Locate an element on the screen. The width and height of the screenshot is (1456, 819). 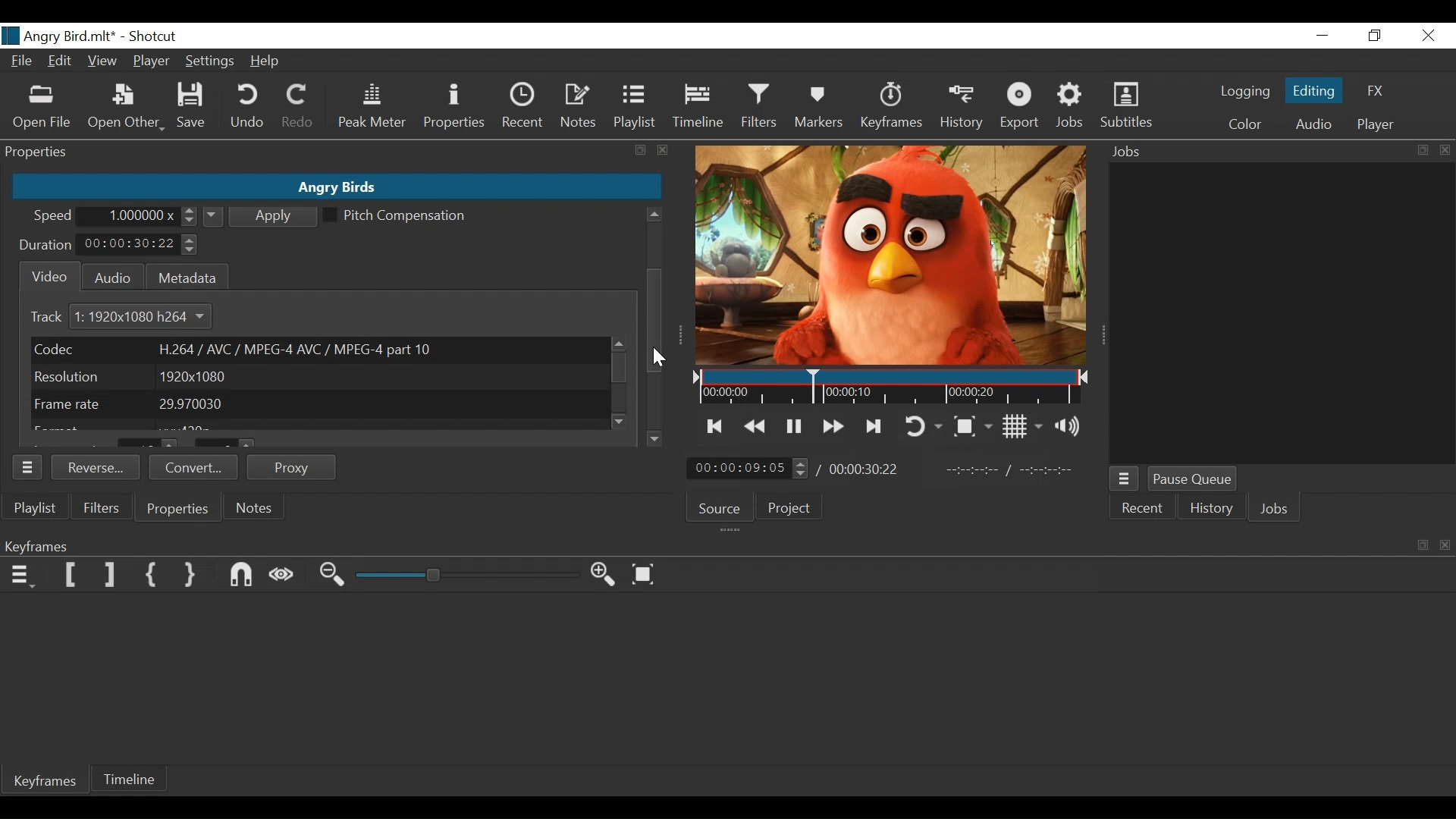
Toggle player looping is located at coordinates (926, 425).